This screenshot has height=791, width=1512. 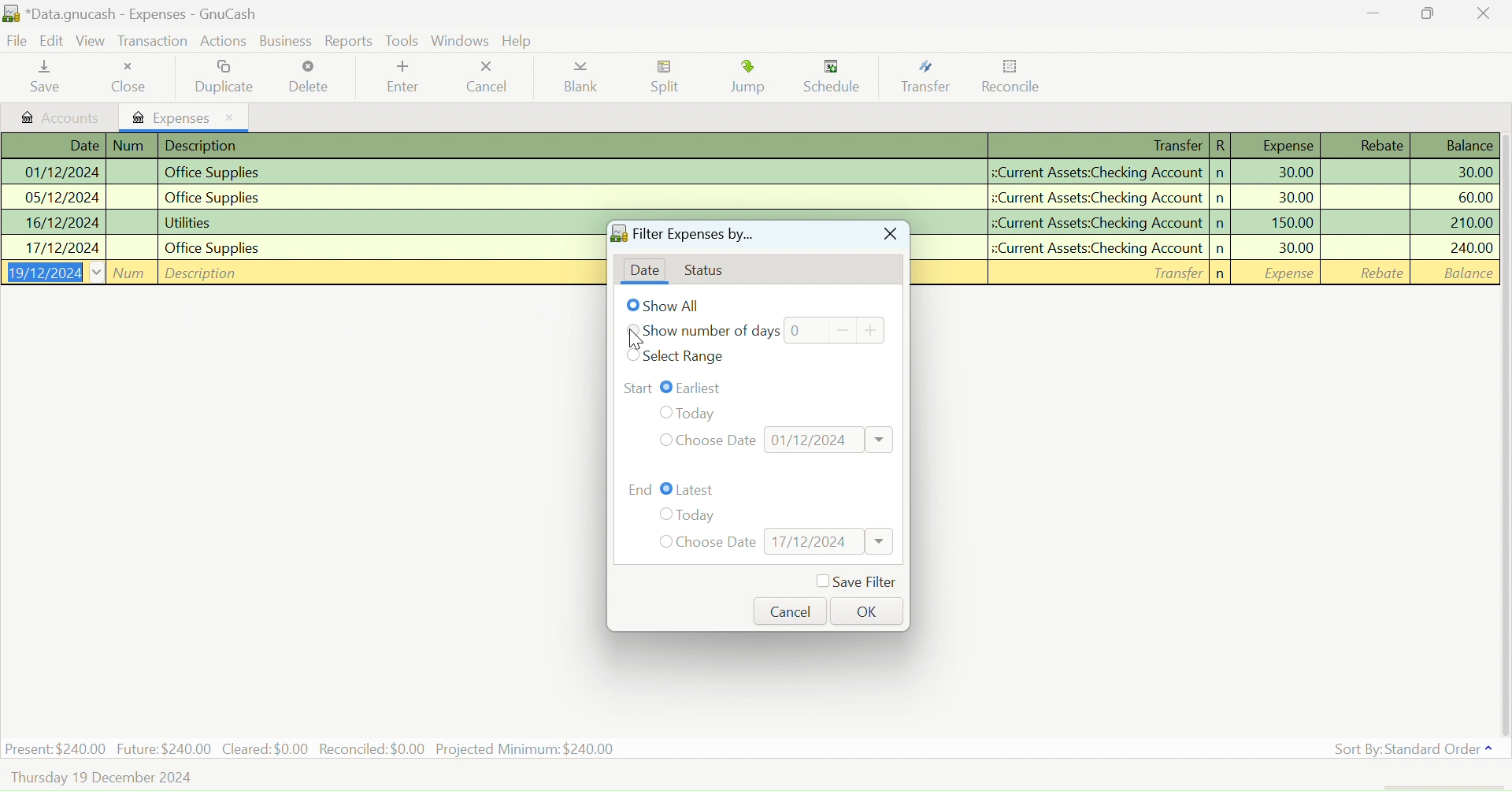 What do you see at coordinates (461, 40) in the screenshot?
I see `Windows` at bounding box center [461, 40].